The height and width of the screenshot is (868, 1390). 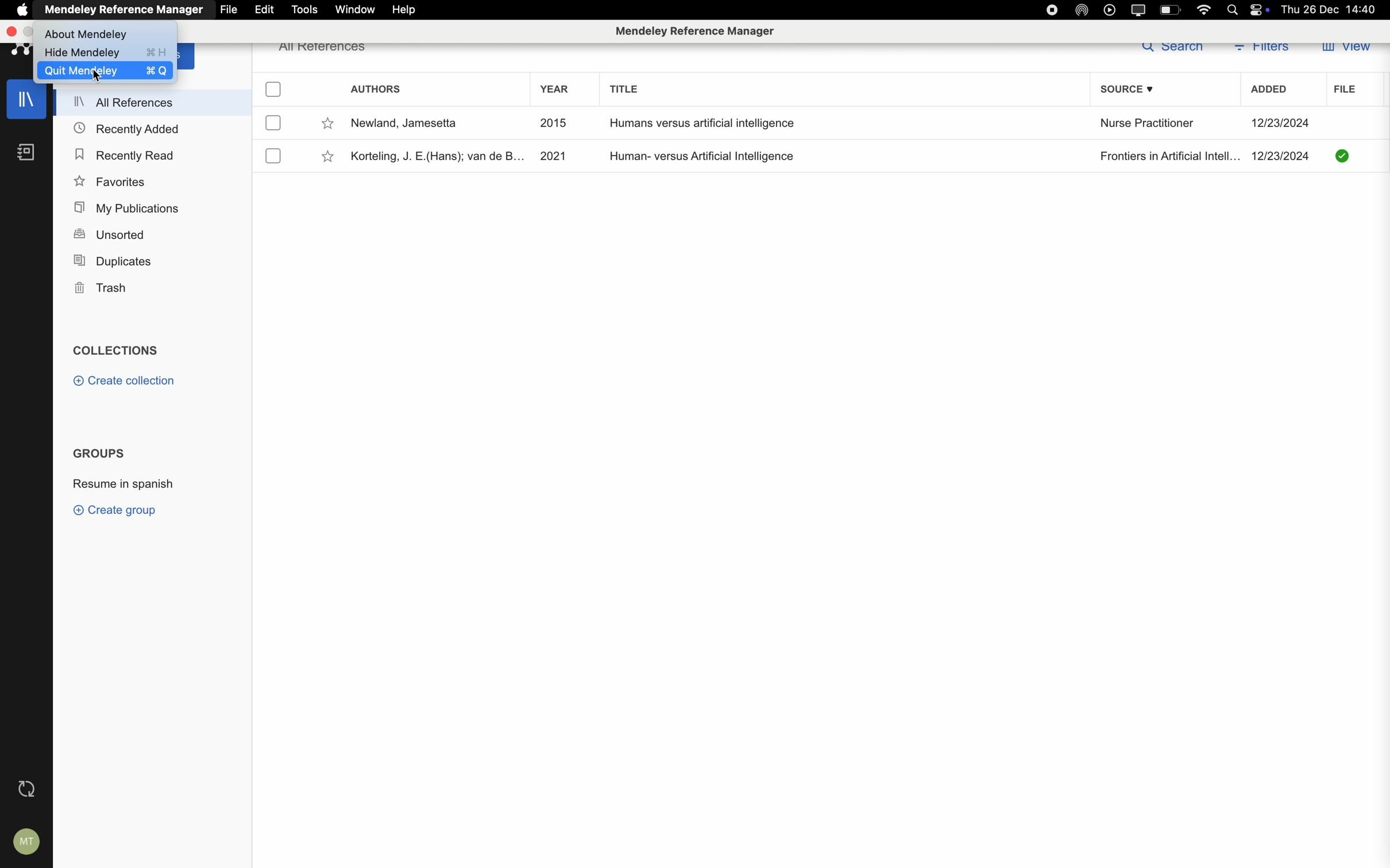 I want to click on check box, so click(x=274, y=90).